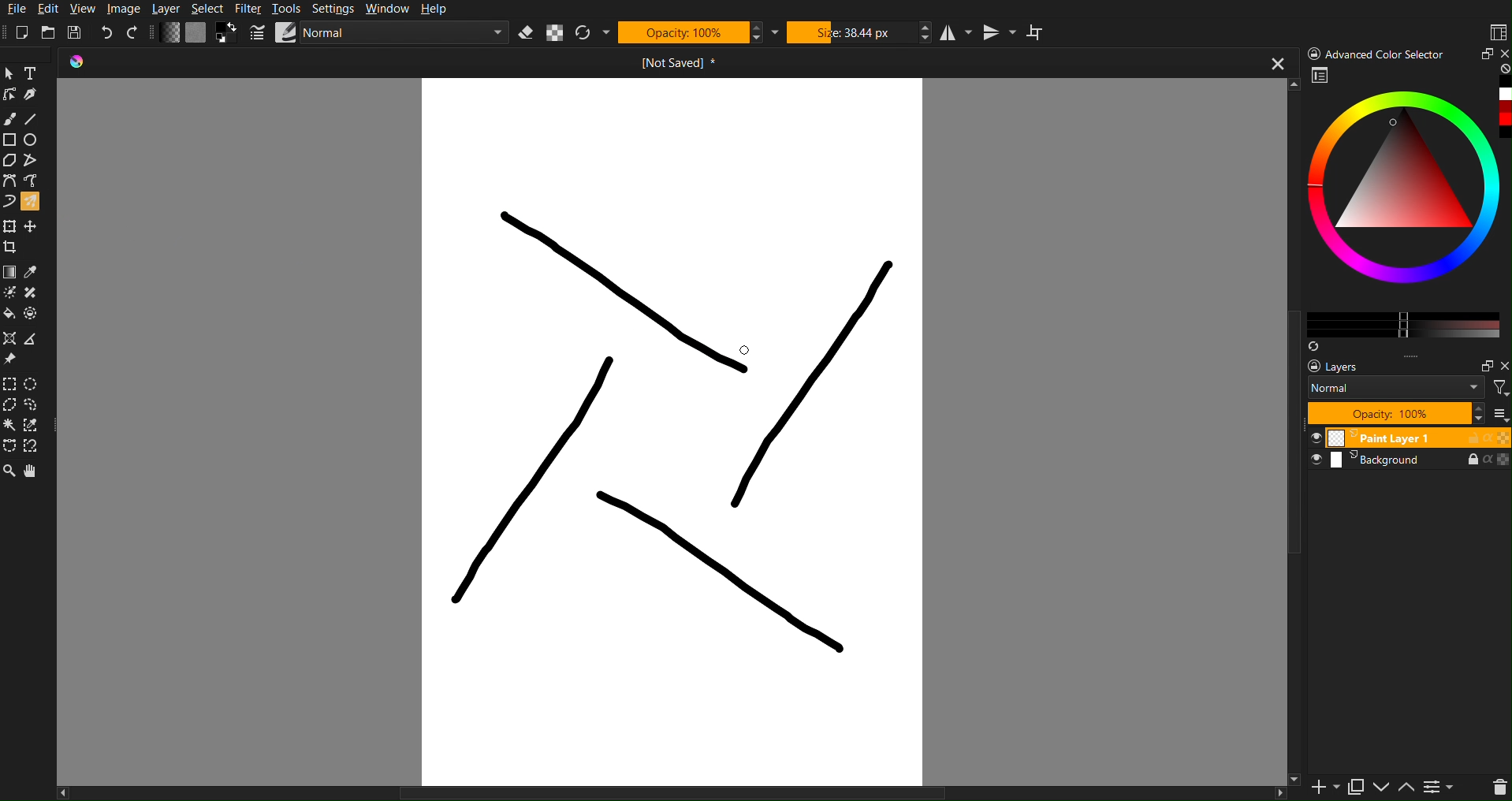 The width and height of the screenshot is (1512, 801). I want to click on Transform Tool, so click(10, 225).